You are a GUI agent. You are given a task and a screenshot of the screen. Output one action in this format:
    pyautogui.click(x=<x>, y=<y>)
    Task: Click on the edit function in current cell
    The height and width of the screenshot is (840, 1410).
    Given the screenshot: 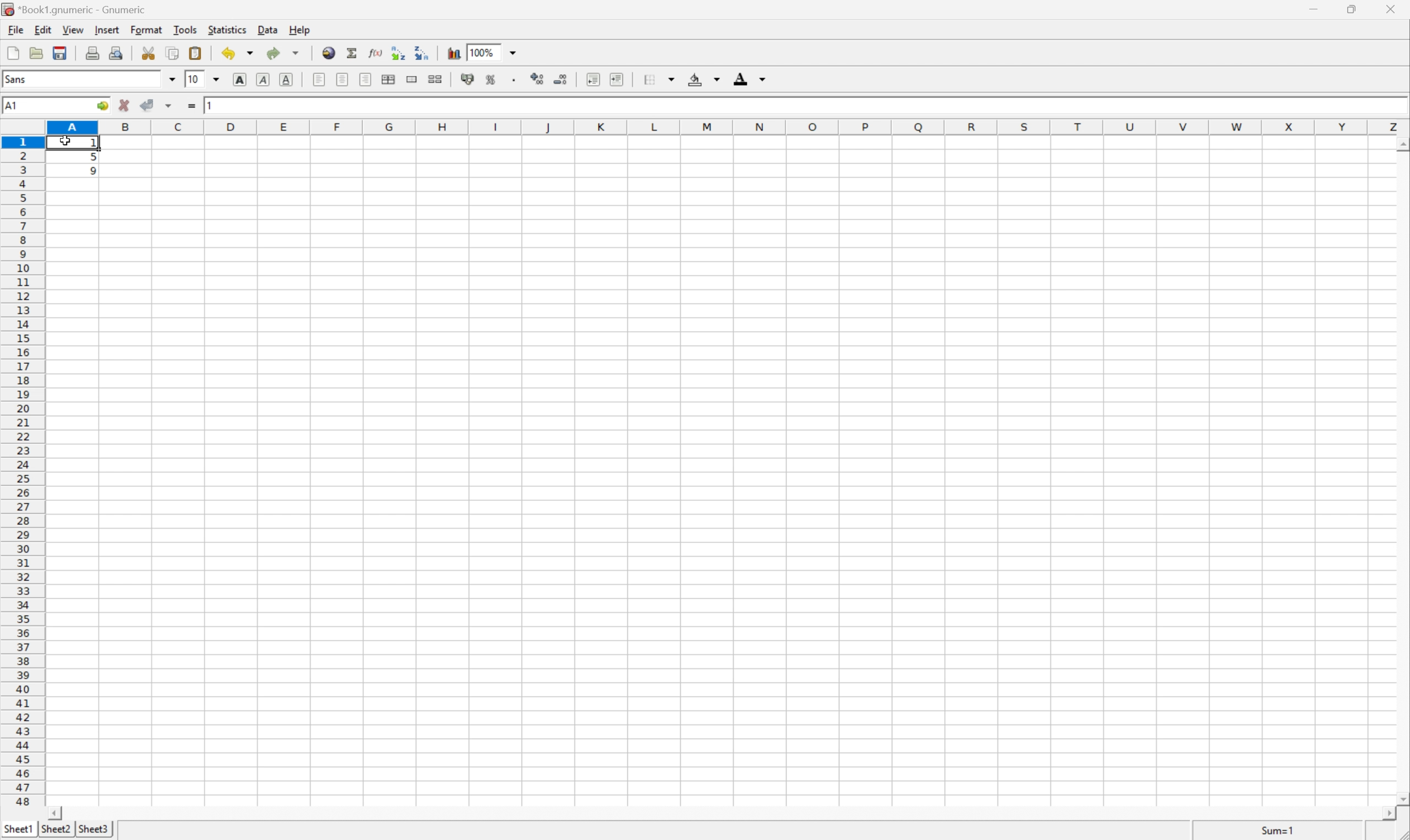 What is the action you would take?
    pyautogui.click(x=377, y=52)
    